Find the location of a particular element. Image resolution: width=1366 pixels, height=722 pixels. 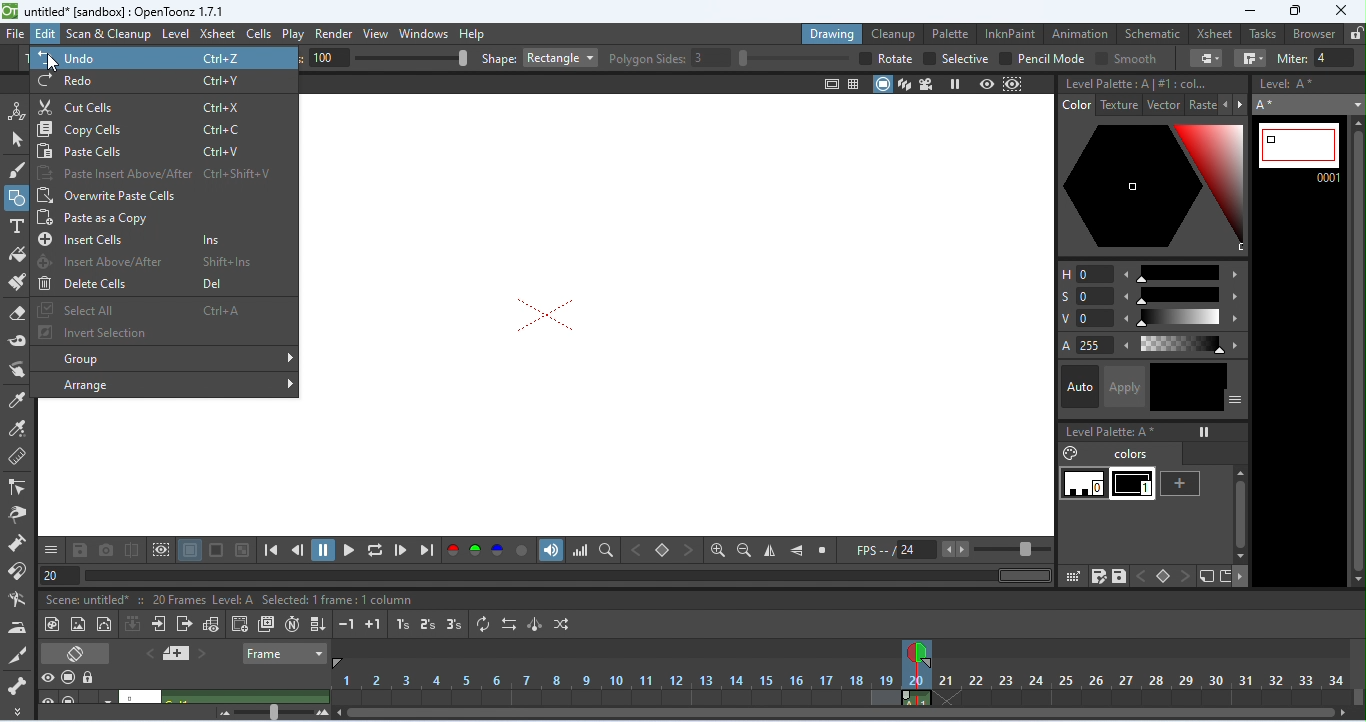

bender is located at coordinates (19, 598).